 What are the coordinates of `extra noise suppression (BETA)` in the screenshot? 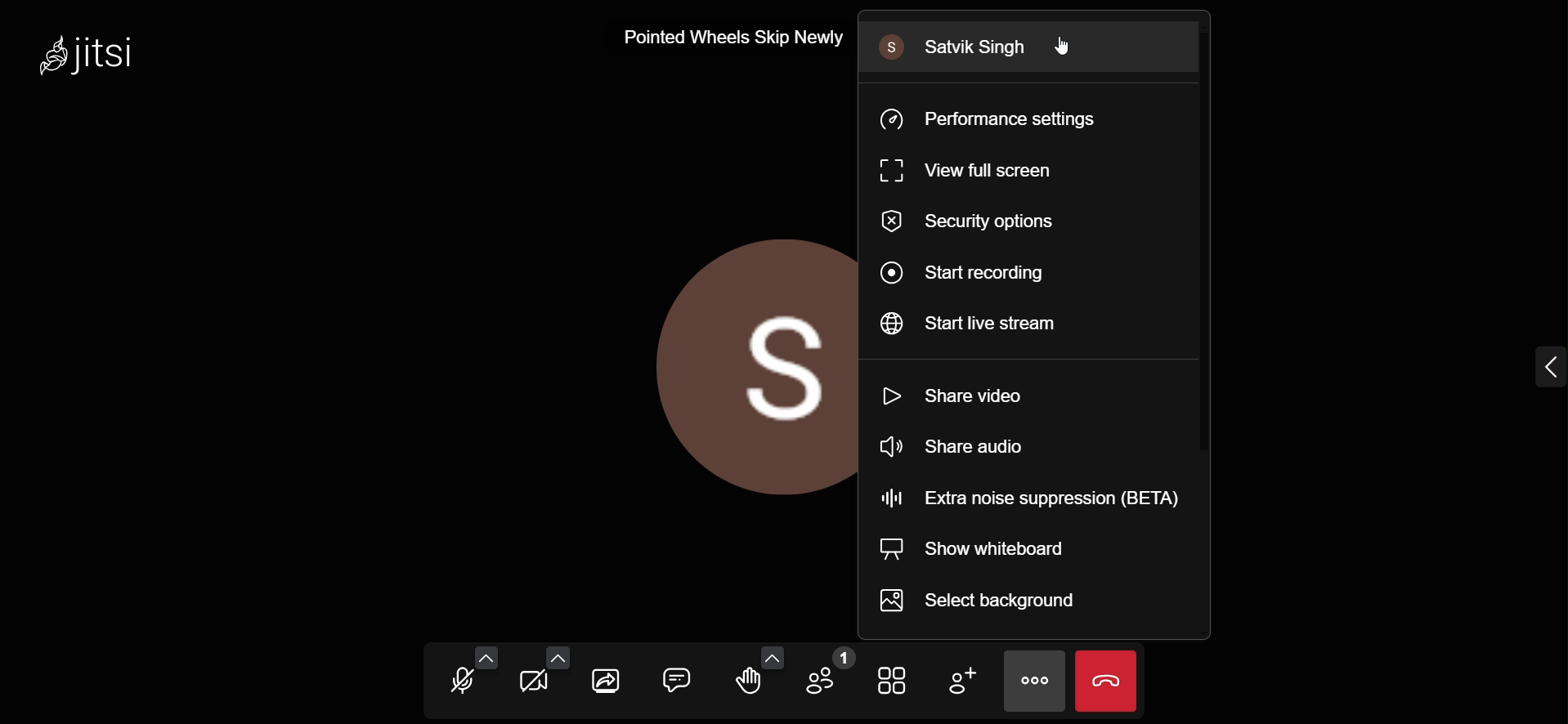 It's located at (1033, 506).